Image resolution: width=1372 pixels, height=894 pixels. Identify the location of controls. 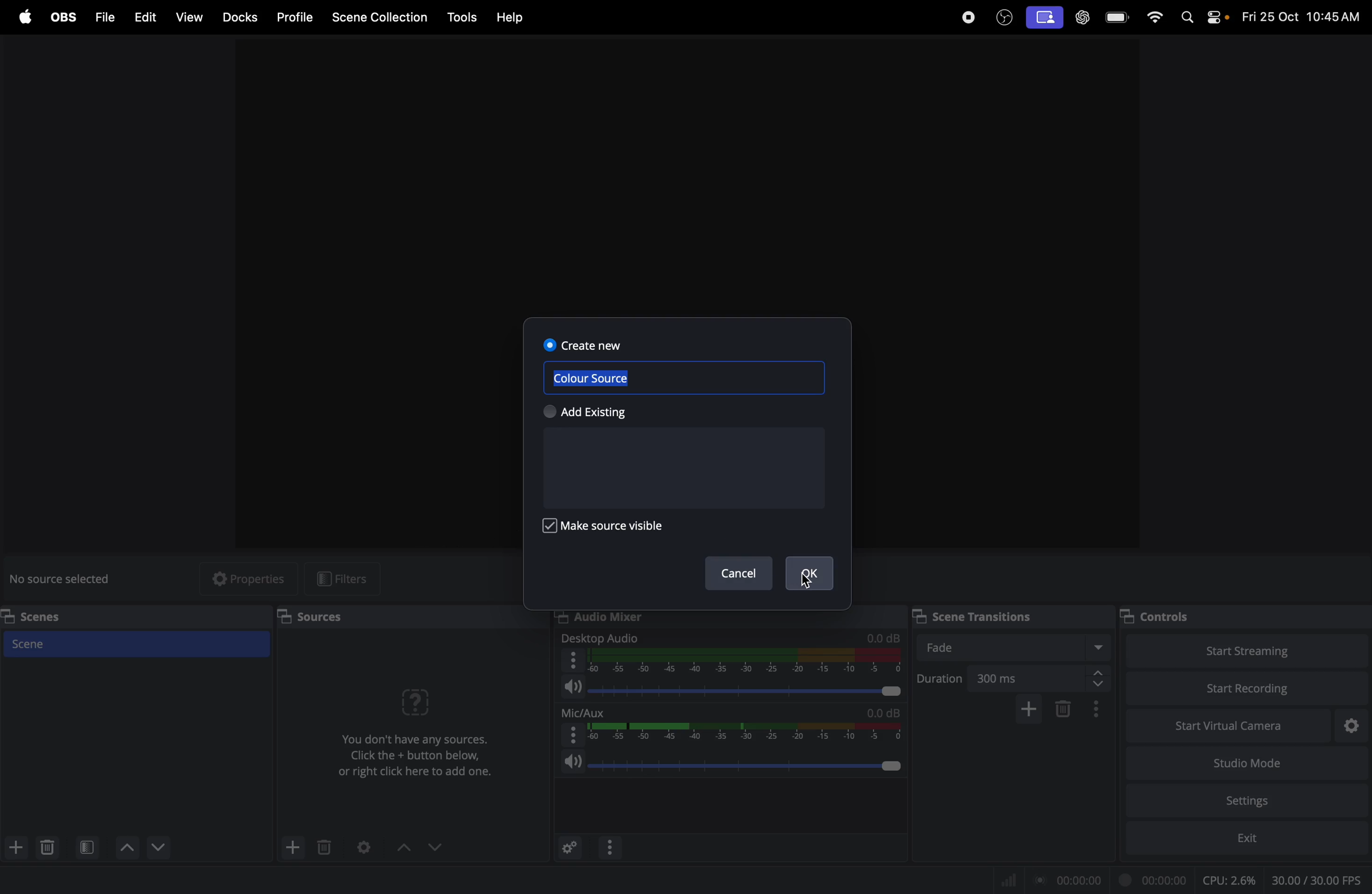
(1155, 617).